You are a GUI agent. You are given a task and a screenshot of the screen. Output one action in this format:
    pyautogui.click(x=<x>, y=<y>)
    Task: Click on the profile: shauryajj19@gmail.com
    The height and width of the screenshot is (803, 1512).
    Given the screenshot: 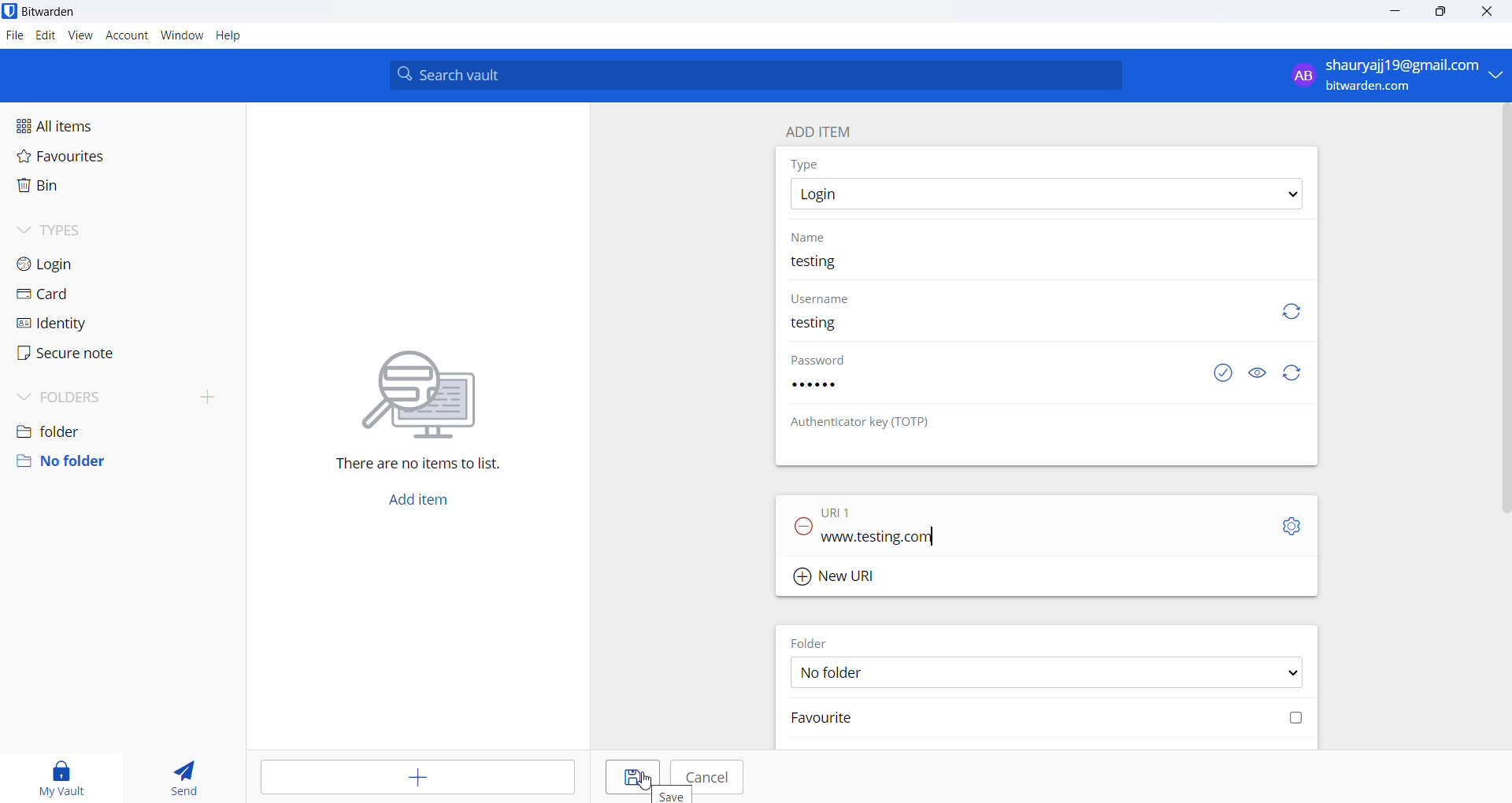 What is the action you would take?
    pyautogui.click(x=1392, y=75)
    